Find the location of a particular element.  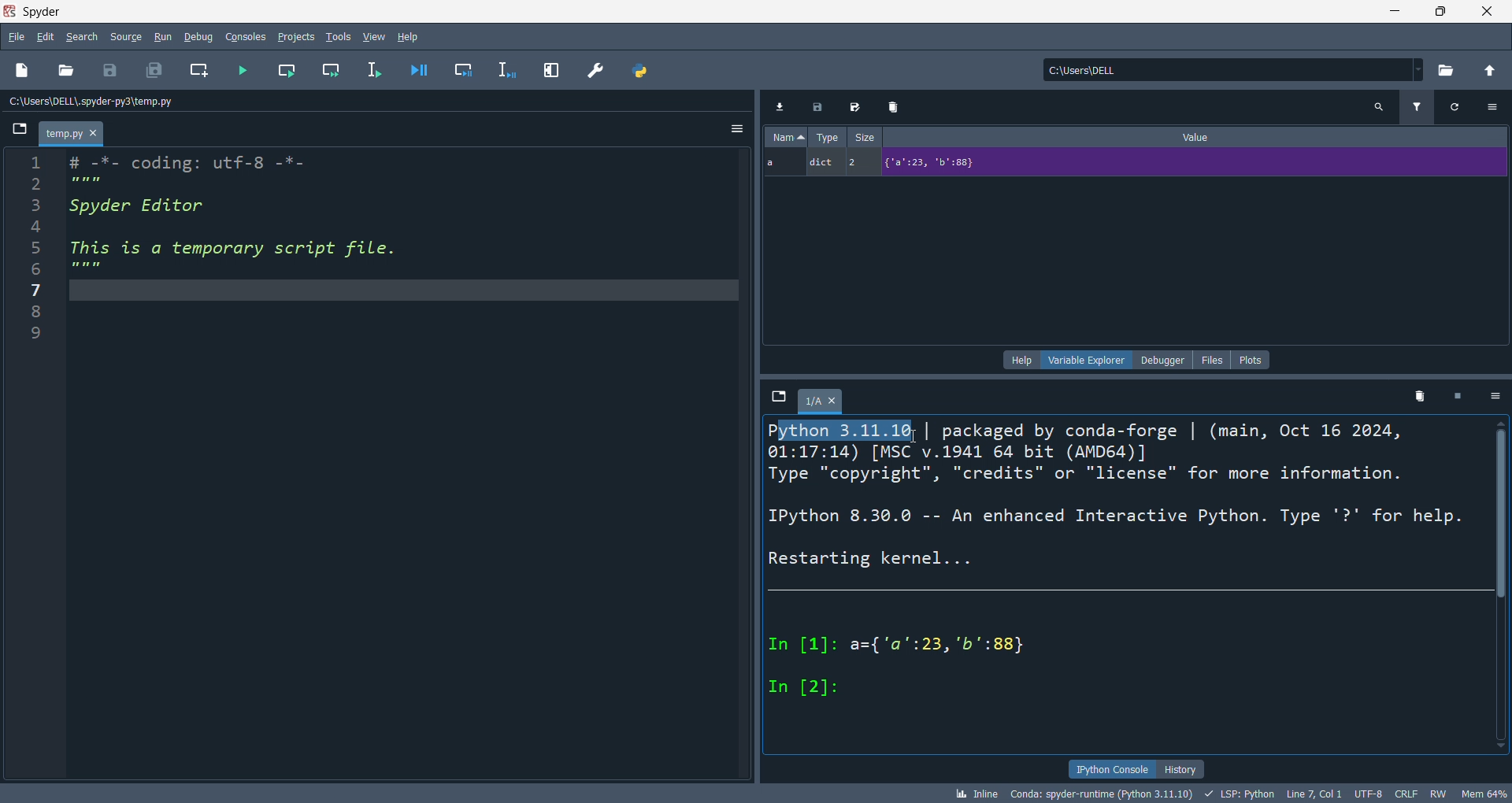

viewn is located at coordinates (375, 35).